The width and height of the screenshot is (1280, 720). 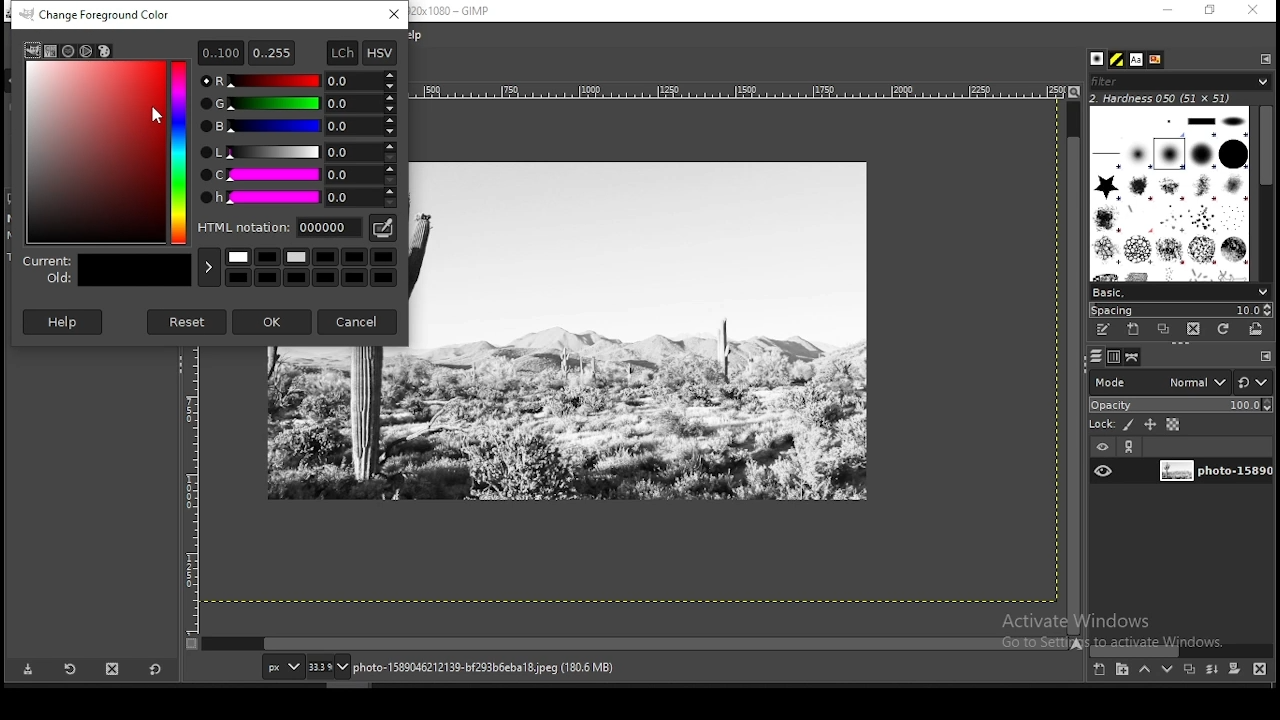 I want to click on lock size and position, so click(x=1150, y=424).